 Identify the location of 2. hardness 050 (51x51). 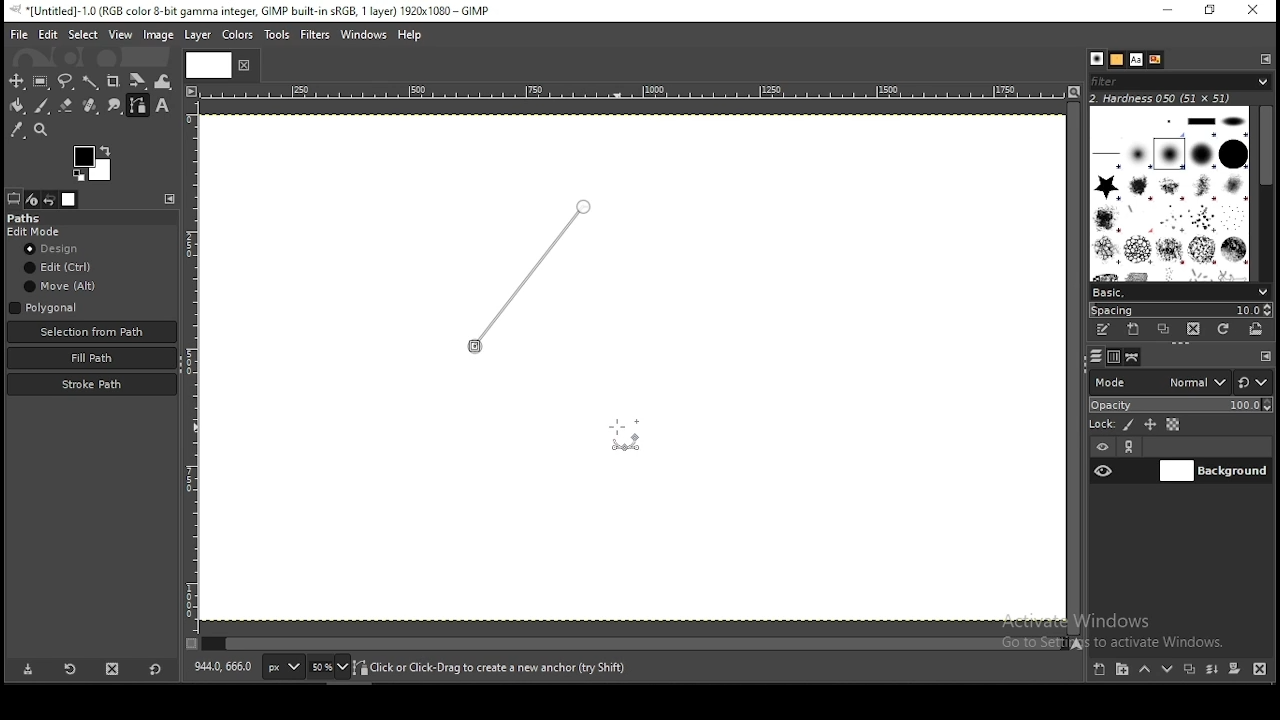
(1170, 99).